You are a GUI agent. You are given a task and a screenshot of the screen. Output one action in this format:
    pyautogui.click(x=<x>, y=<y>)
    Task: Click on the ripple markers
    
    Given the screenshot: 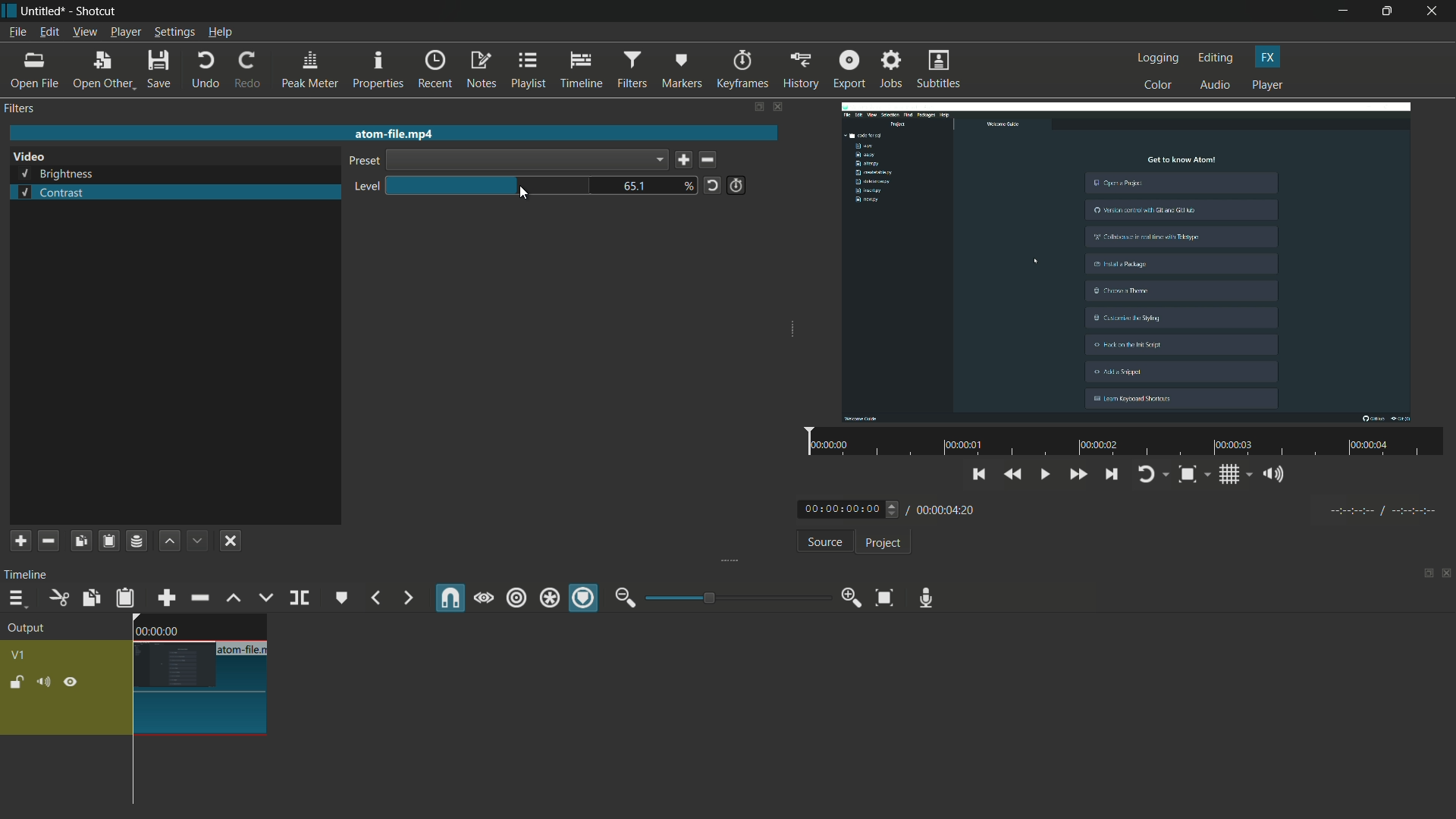 What is the action you would take?
    pyautogui.click(x=585, y=599)
    